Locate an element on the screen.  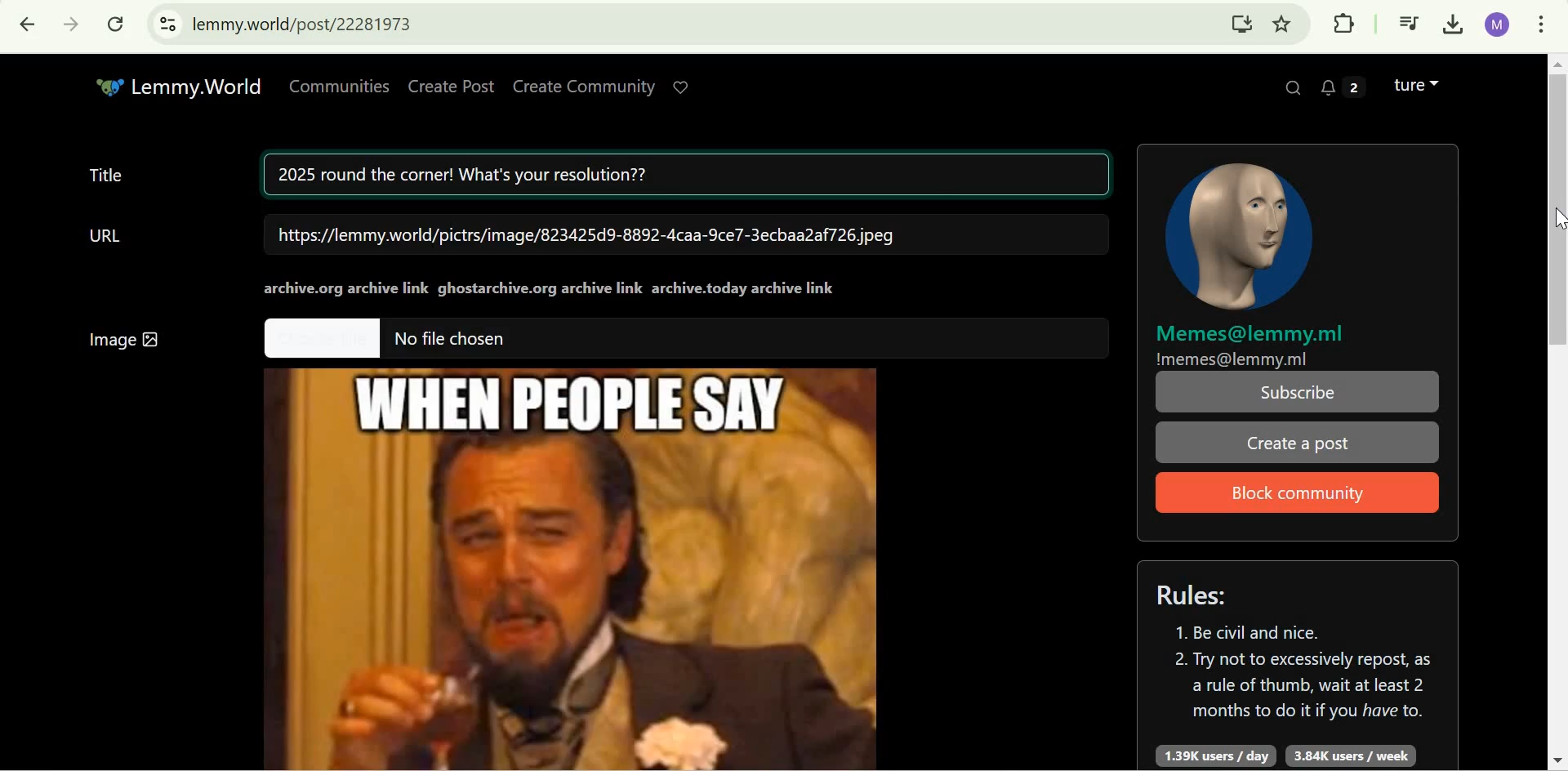
cursor is located at coordinates (1554, 221).